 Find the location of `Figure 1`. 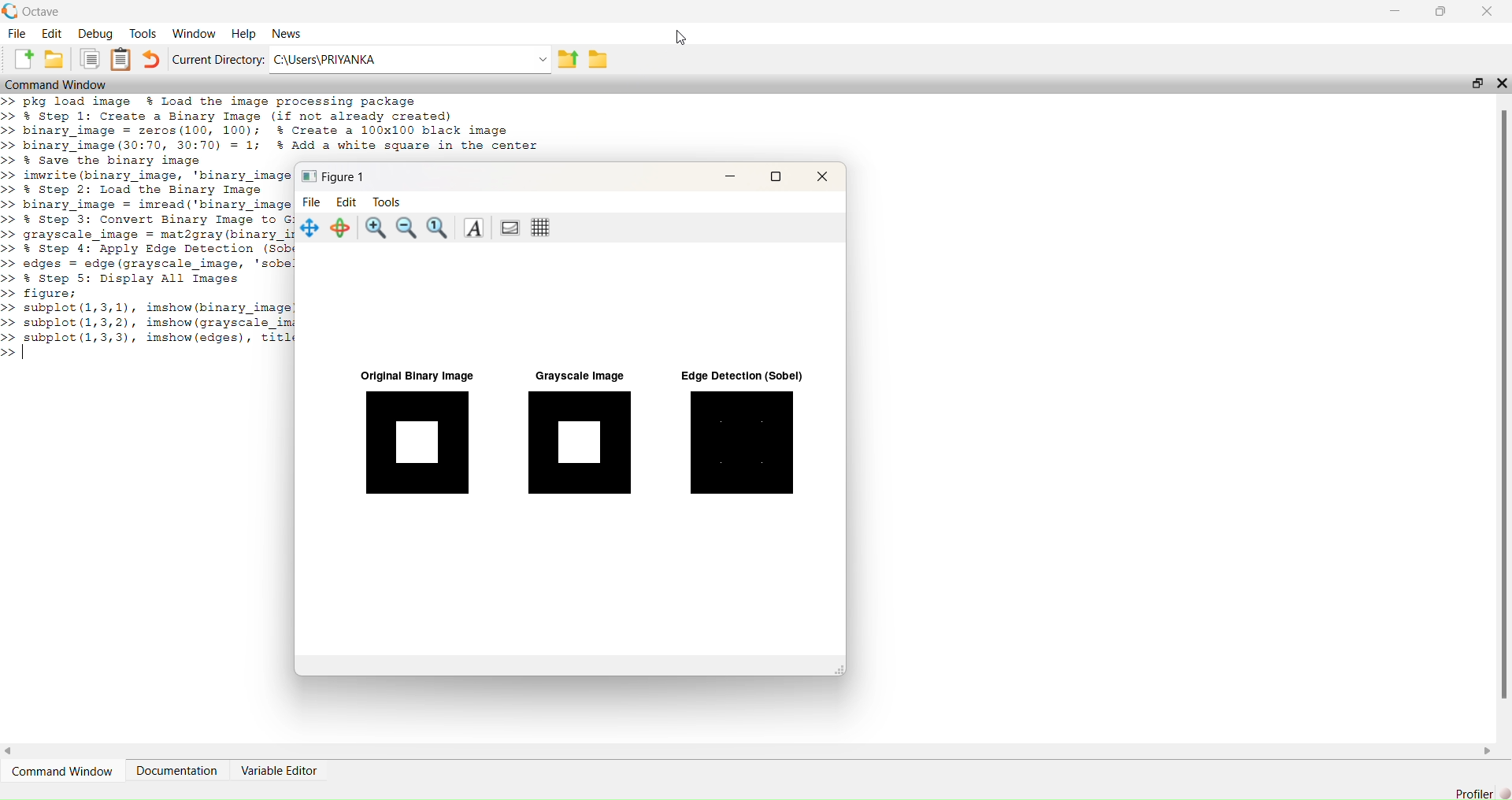

Figure 1 is located at coordinates (343, 177).